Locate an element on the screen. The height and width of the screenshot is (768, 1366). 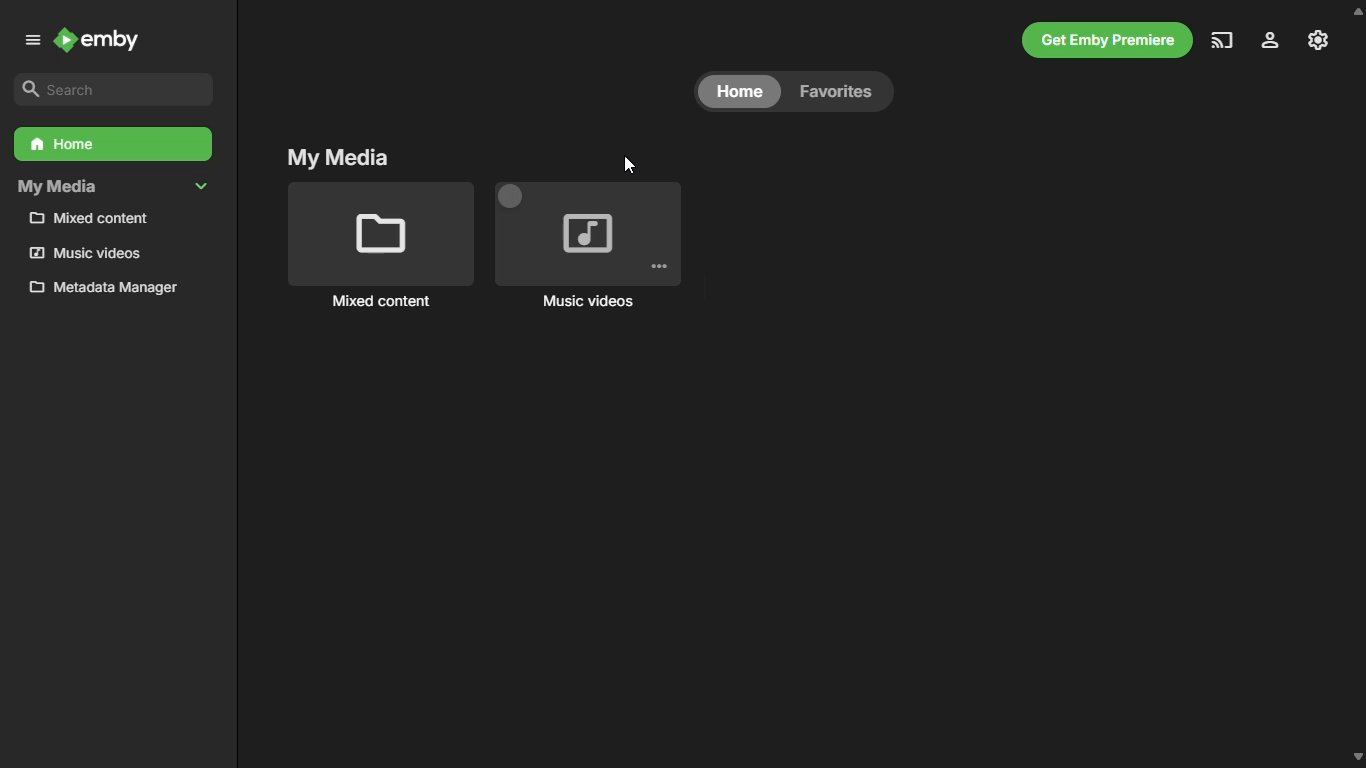
manage emby server is located at coordinates (1320, 41).